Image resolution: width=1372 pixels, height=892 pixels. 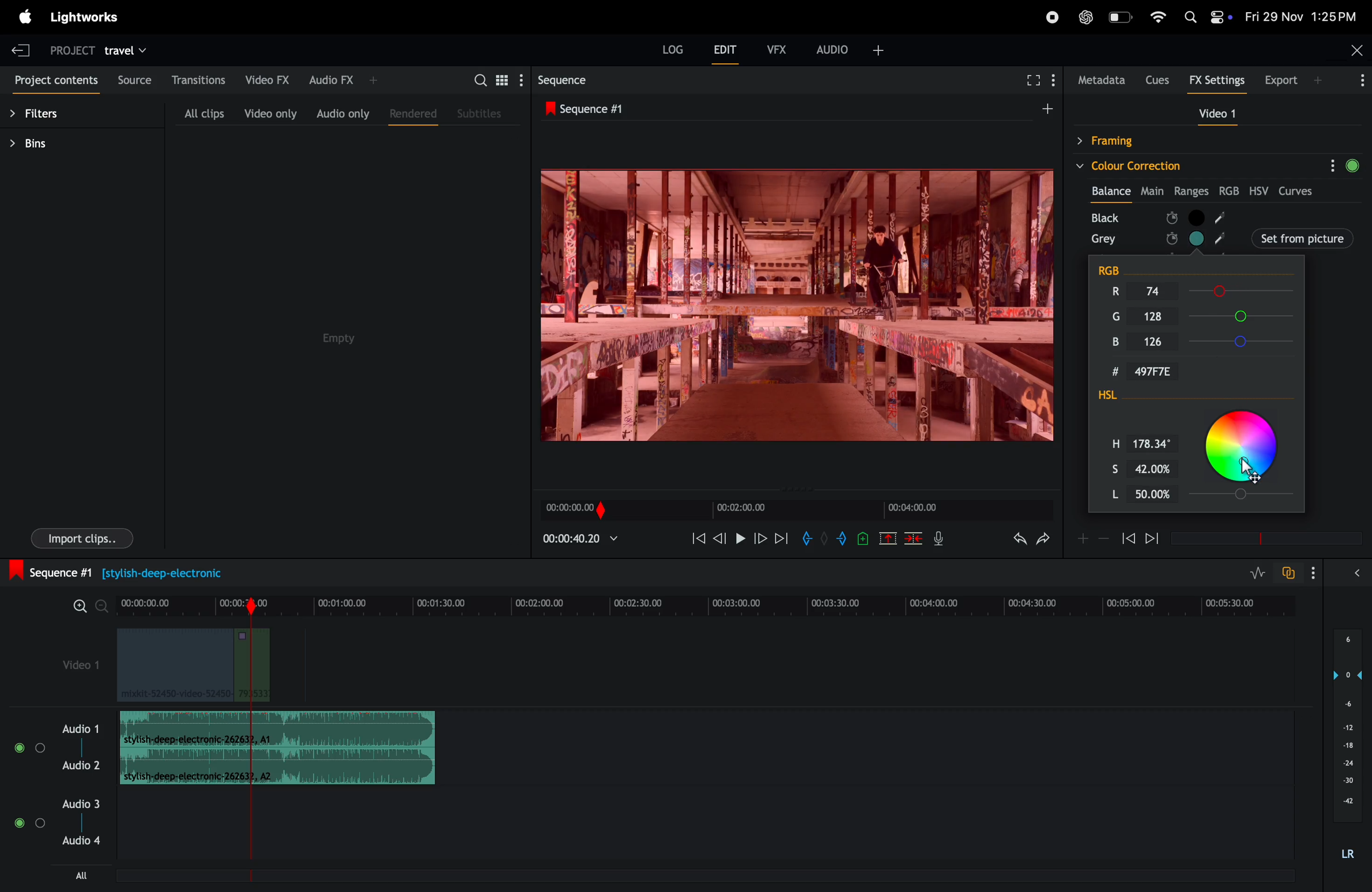 I want to click on import clips, so click(x=82, y=538).